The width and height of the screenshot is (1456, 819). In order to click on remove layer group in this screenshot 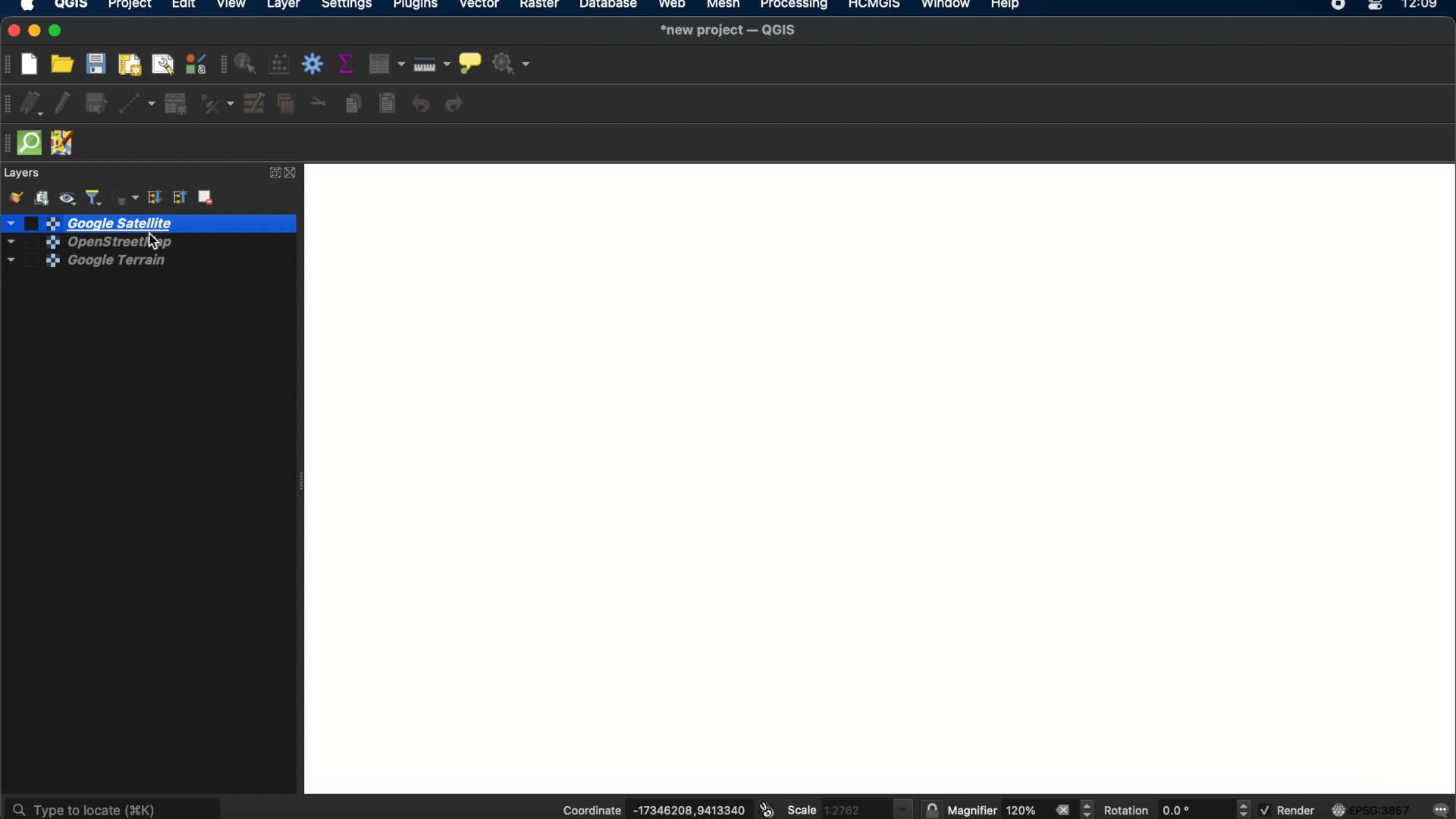, I will do `click(208, 199)`.